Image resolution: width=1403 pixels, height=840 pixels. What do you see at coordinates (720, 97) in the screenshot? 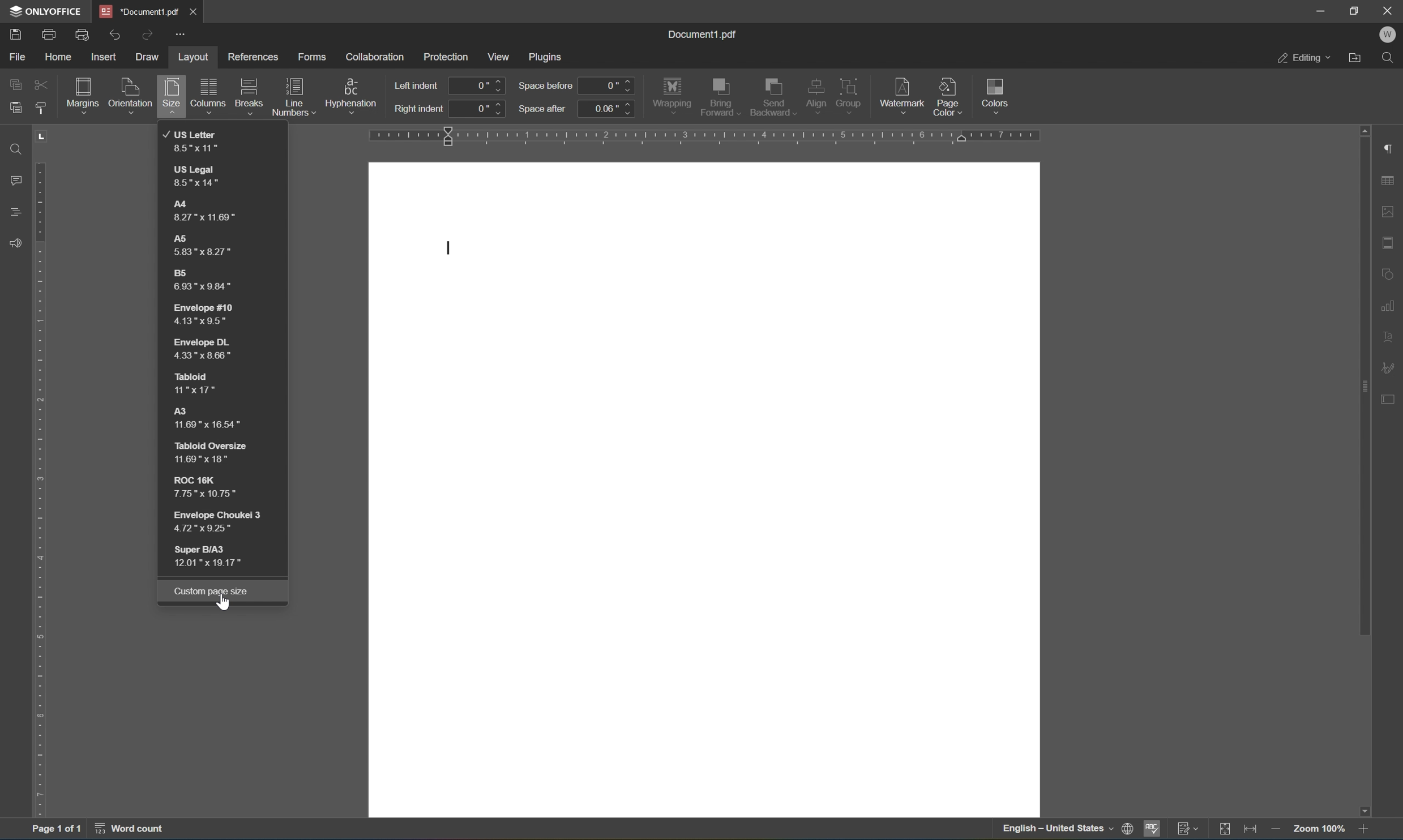
I see `bring forward` at bounding box center [720, 97].